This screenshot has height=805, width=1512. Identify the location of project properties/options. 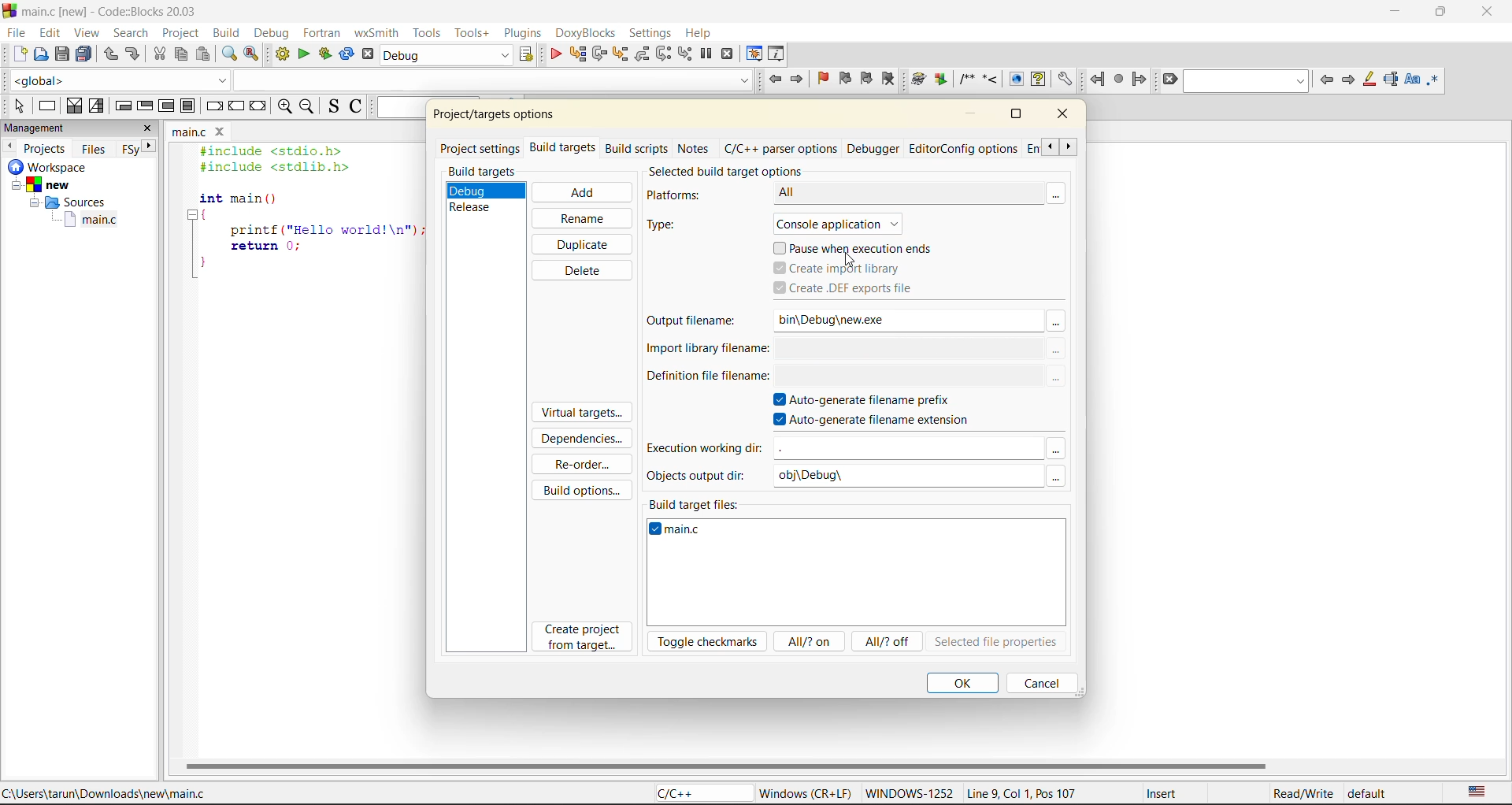
(491, 117).